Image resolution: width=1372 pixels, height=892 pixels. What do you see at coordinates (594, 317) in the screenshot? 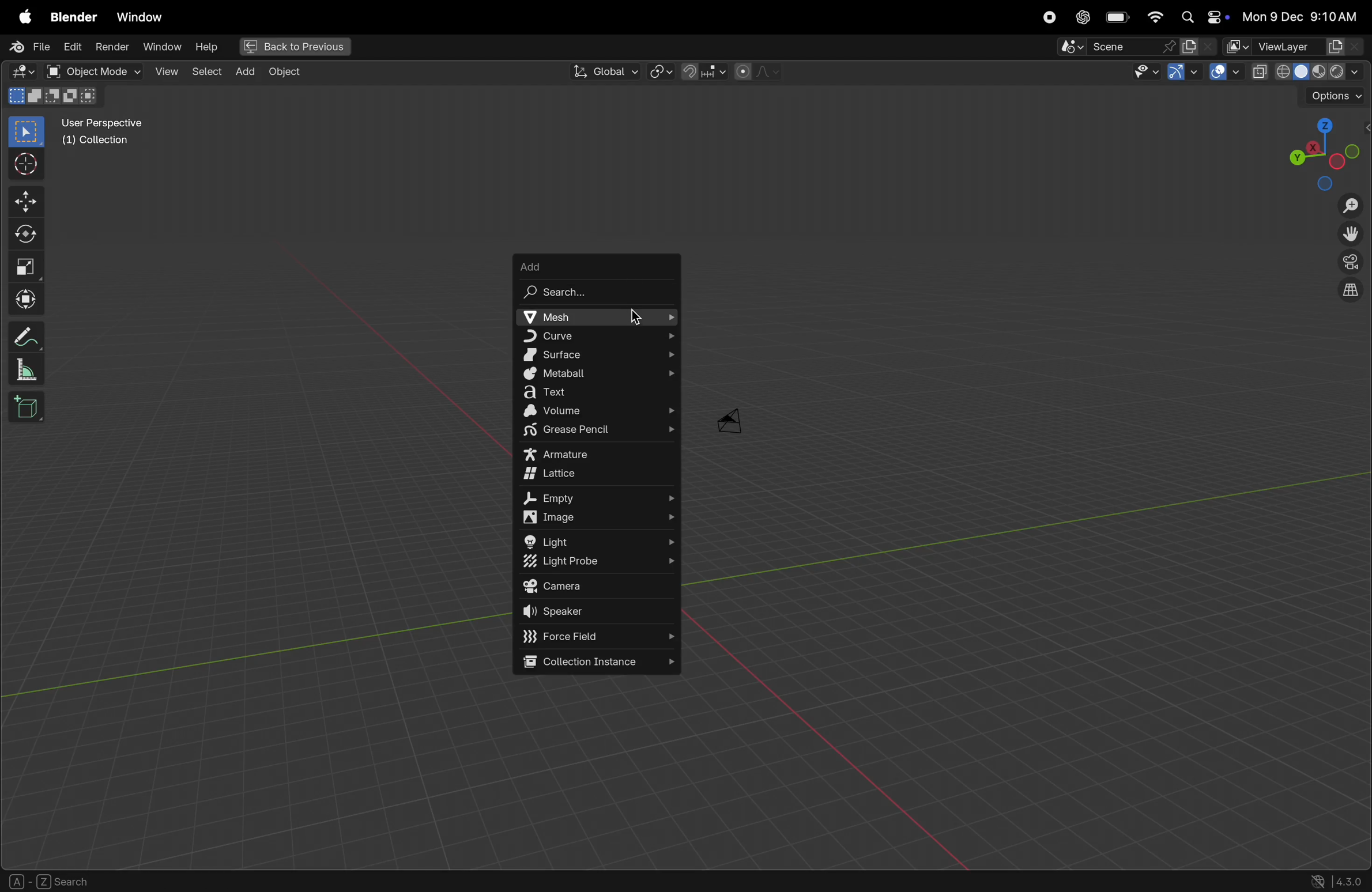
I see `mesh` at bounding box center [594, 317].